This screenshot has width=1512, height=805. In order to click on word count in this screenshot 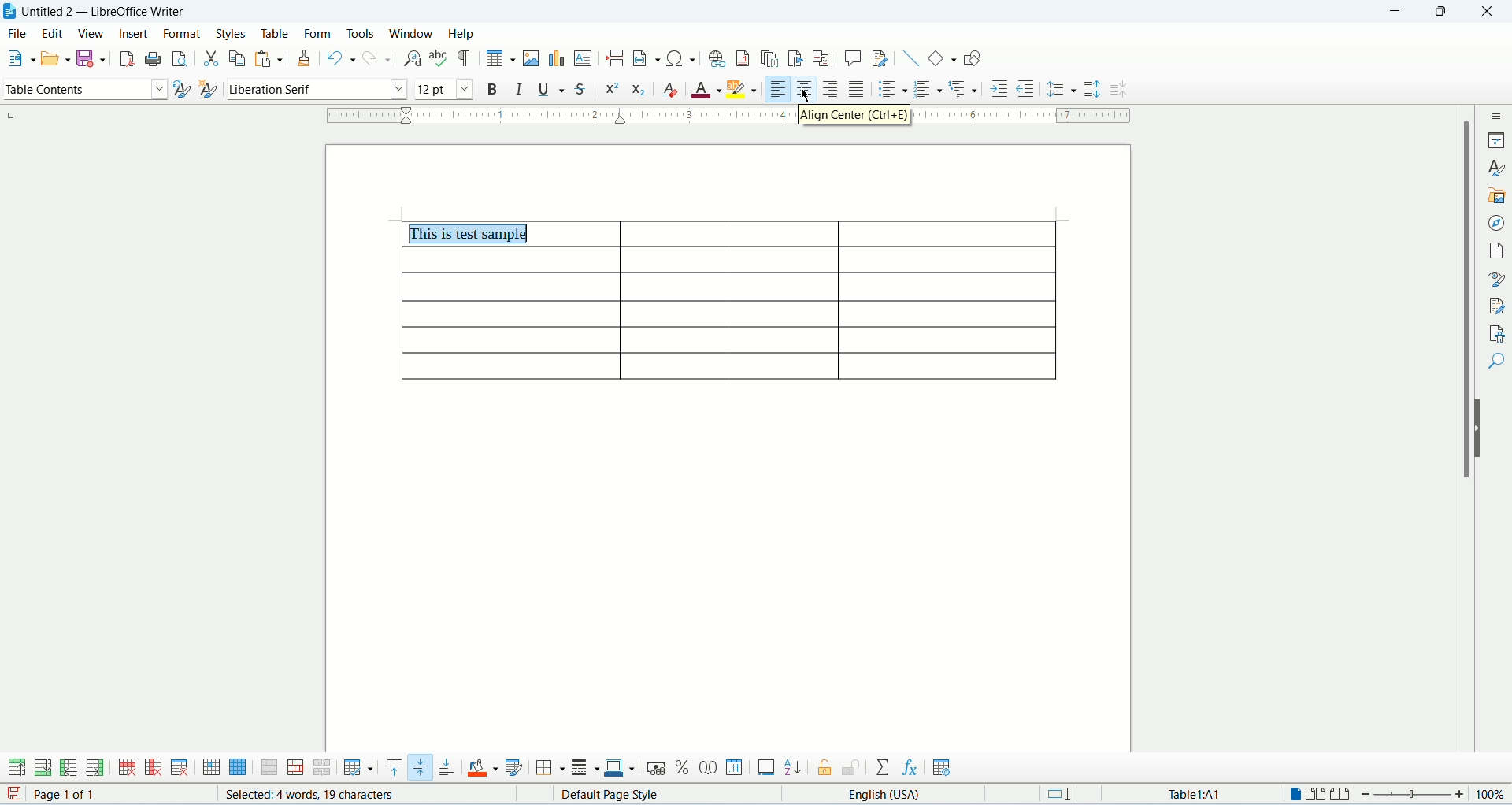, I will do `click(309, 794)`.